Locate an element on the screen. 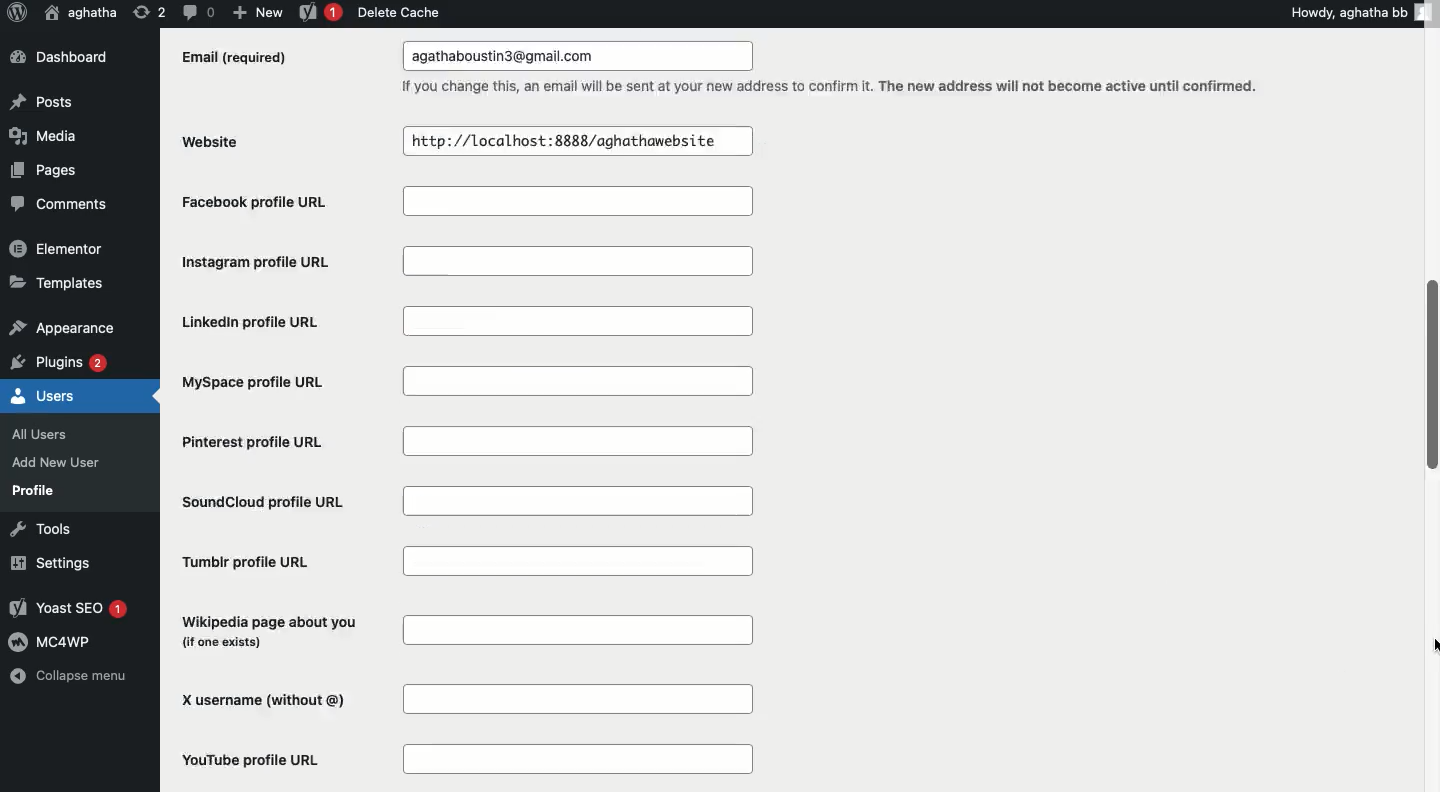  Scrollbar is located at coordinates (1430, 278).